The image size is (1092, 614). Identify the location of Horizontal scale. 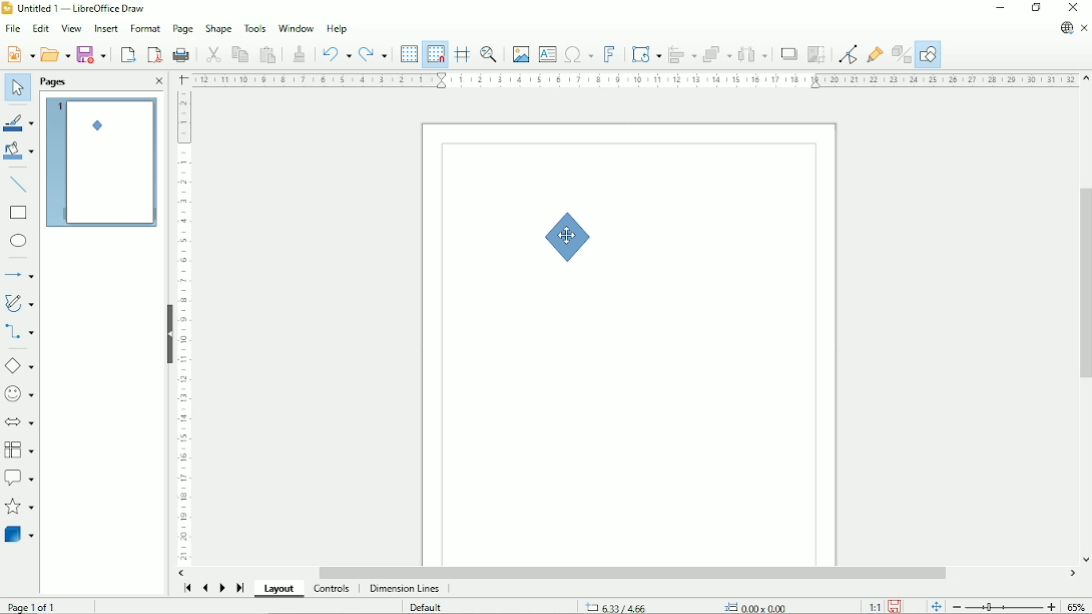
(635, 80).